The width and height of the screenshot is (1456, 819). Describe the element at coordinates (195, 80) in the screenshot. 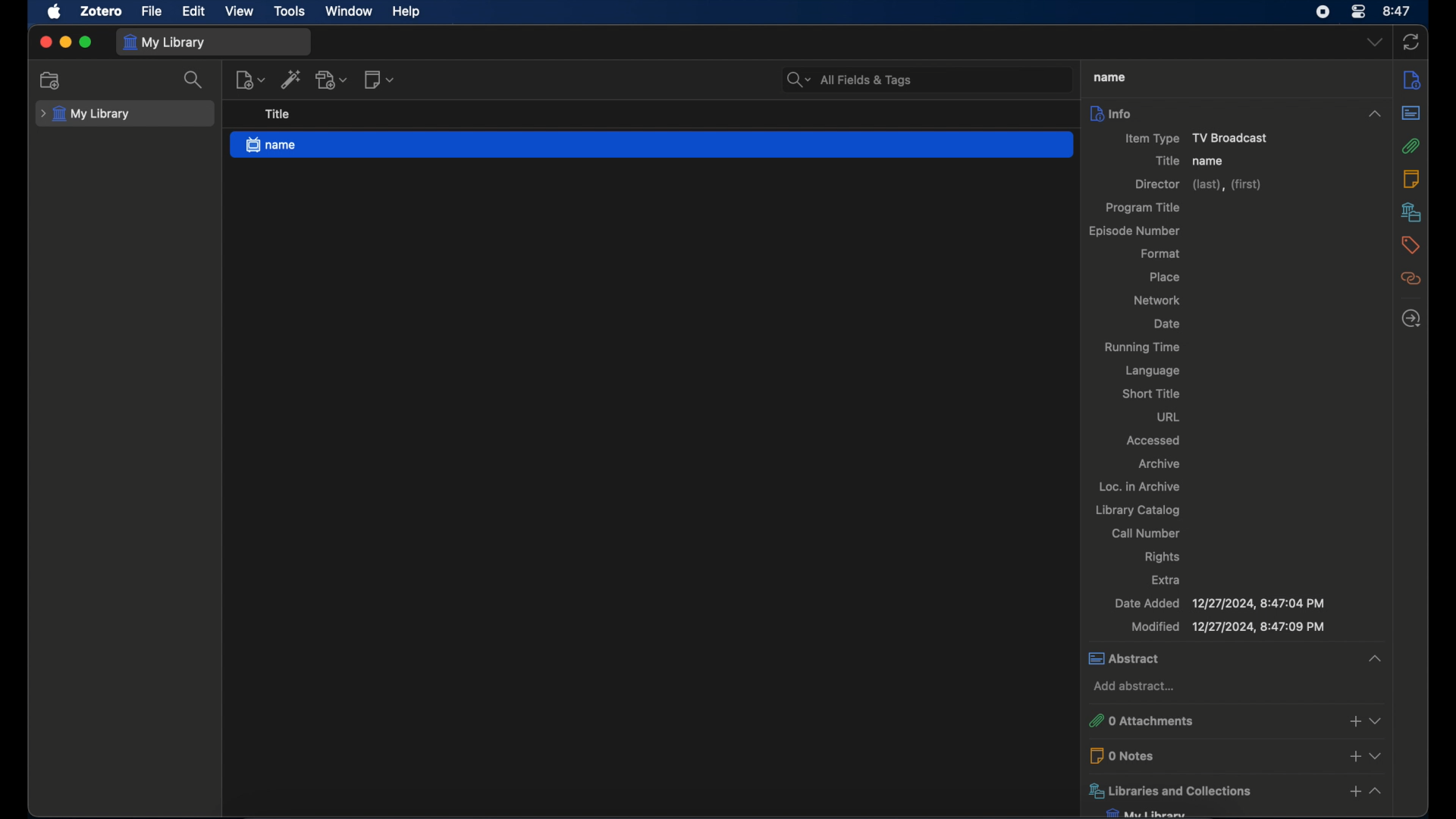

I see `search` at that location.